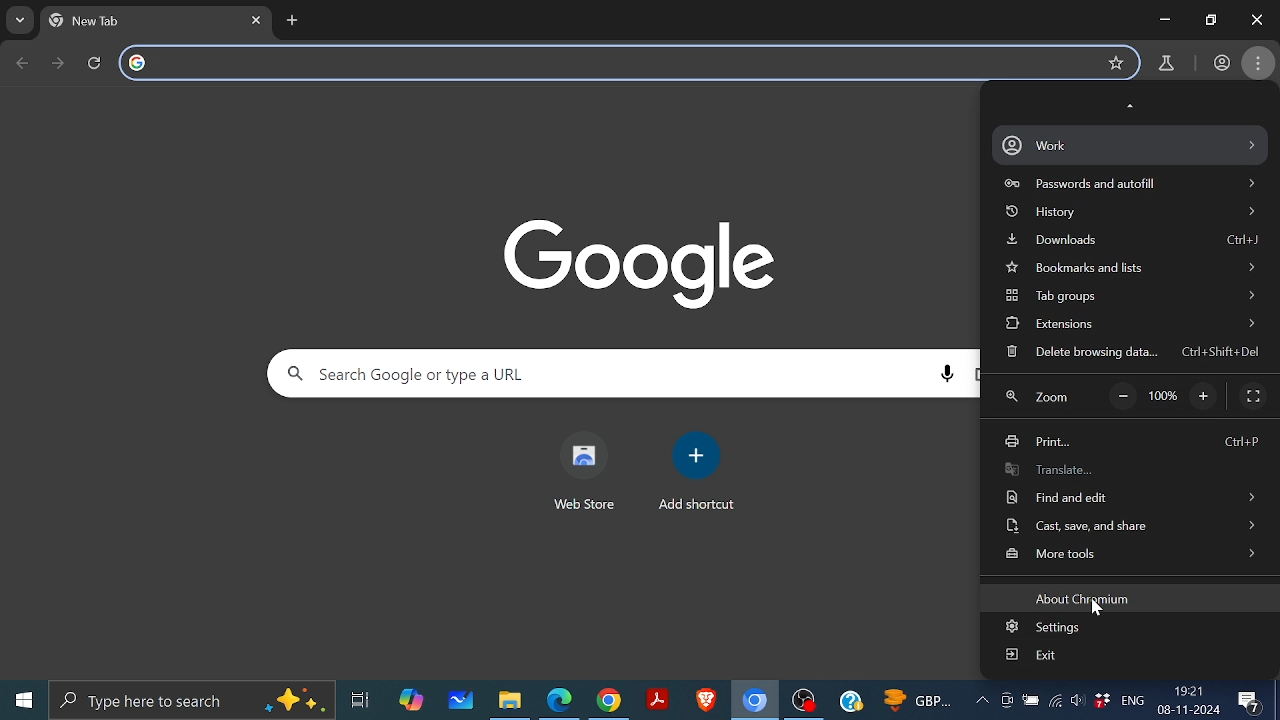 The height and width of the screenshot is (720, 1280). Describe the element at coordinates (607, 700) in the screenshot. I see `Google Chrome` at that location.